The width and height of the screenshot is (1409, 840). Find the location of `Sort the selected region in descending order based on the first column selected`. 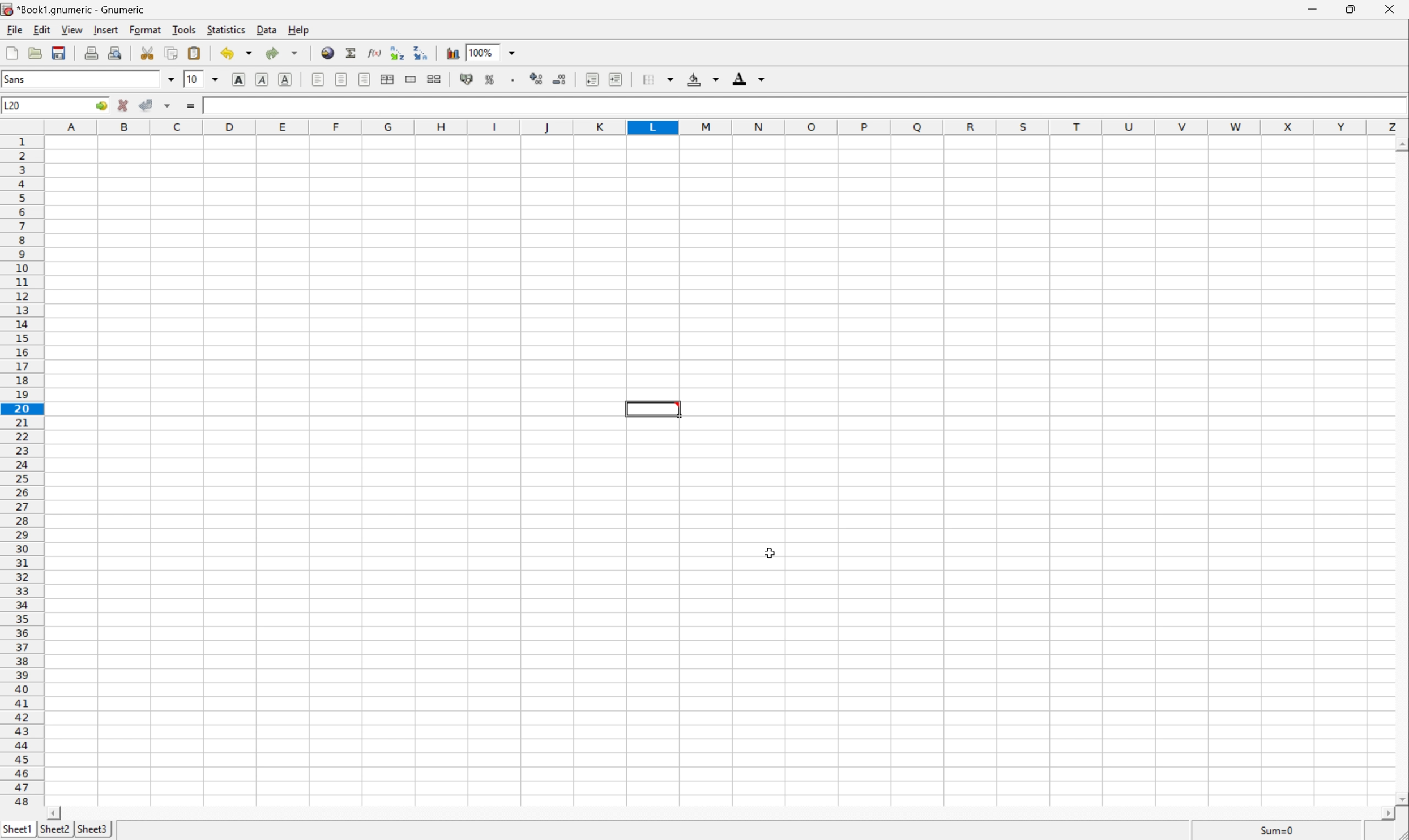

Sort the selected region in descending order based on the first column selected is located at coordinates (420, 52).